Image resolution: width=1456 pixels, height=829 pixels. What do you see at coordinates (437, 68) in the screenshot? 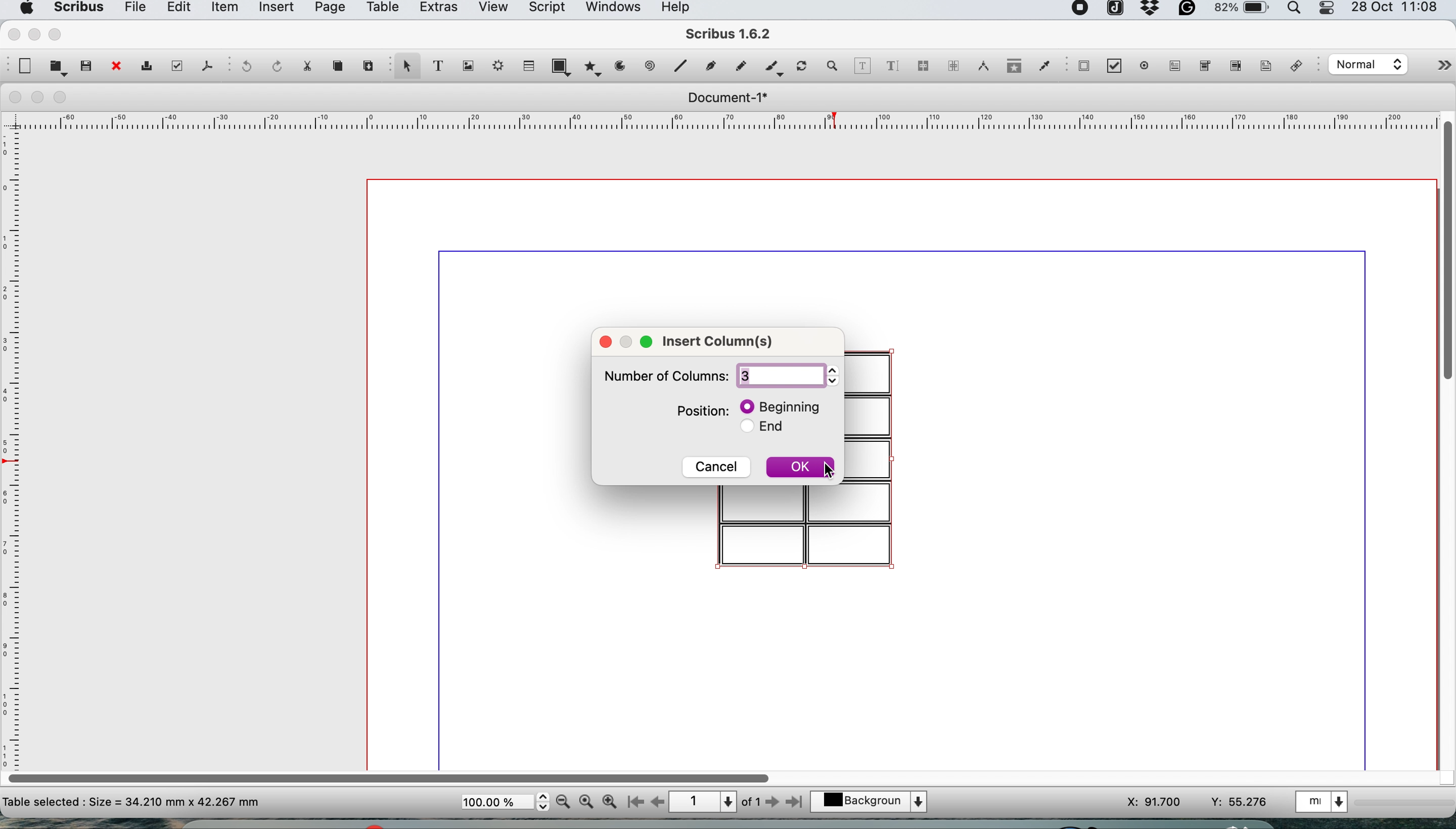
I see `text frame` at bounding box center [437, 68].